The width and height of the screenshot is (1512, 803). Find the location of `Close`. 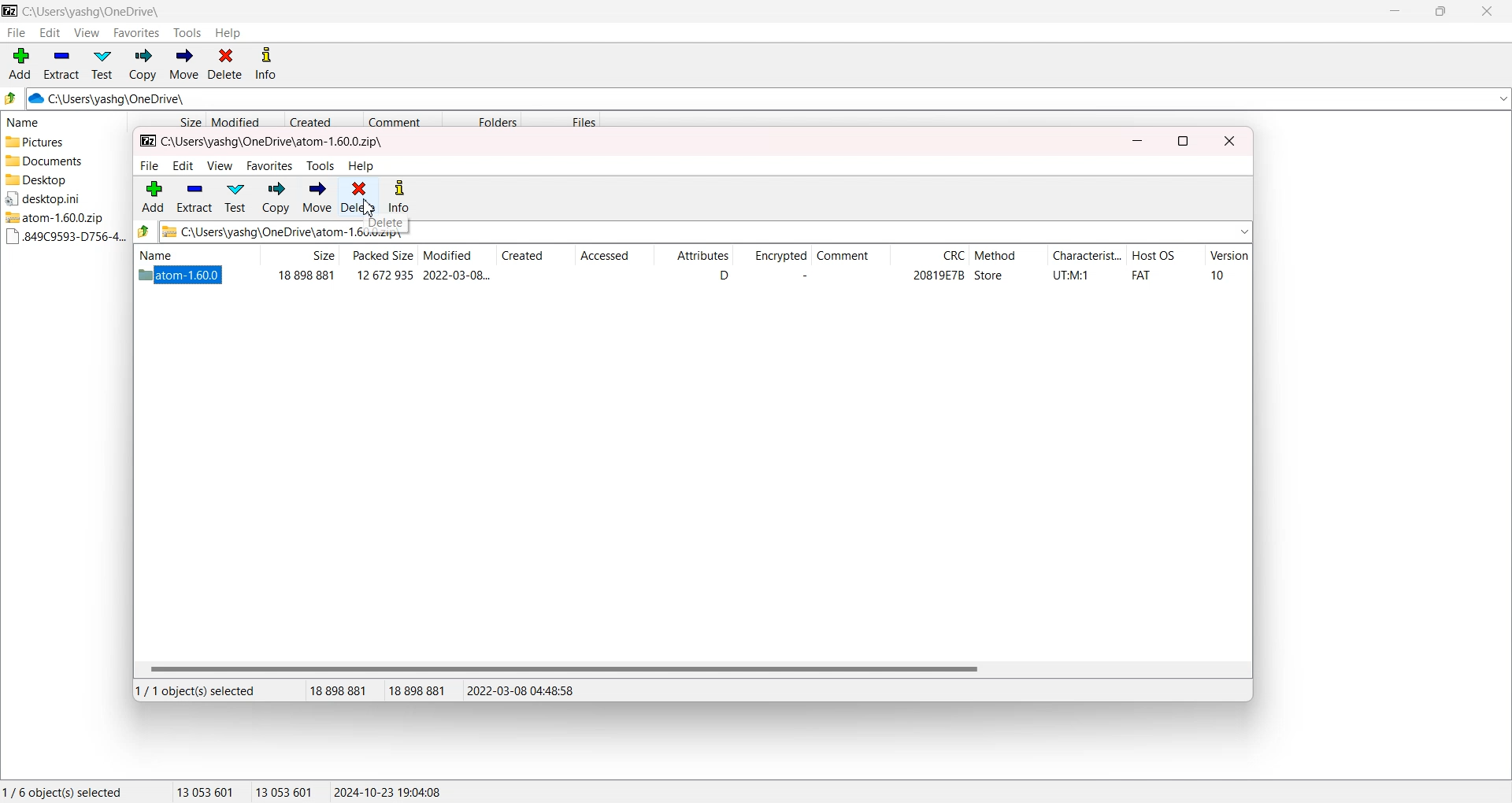

Close is located at coordinates (1485, 11).